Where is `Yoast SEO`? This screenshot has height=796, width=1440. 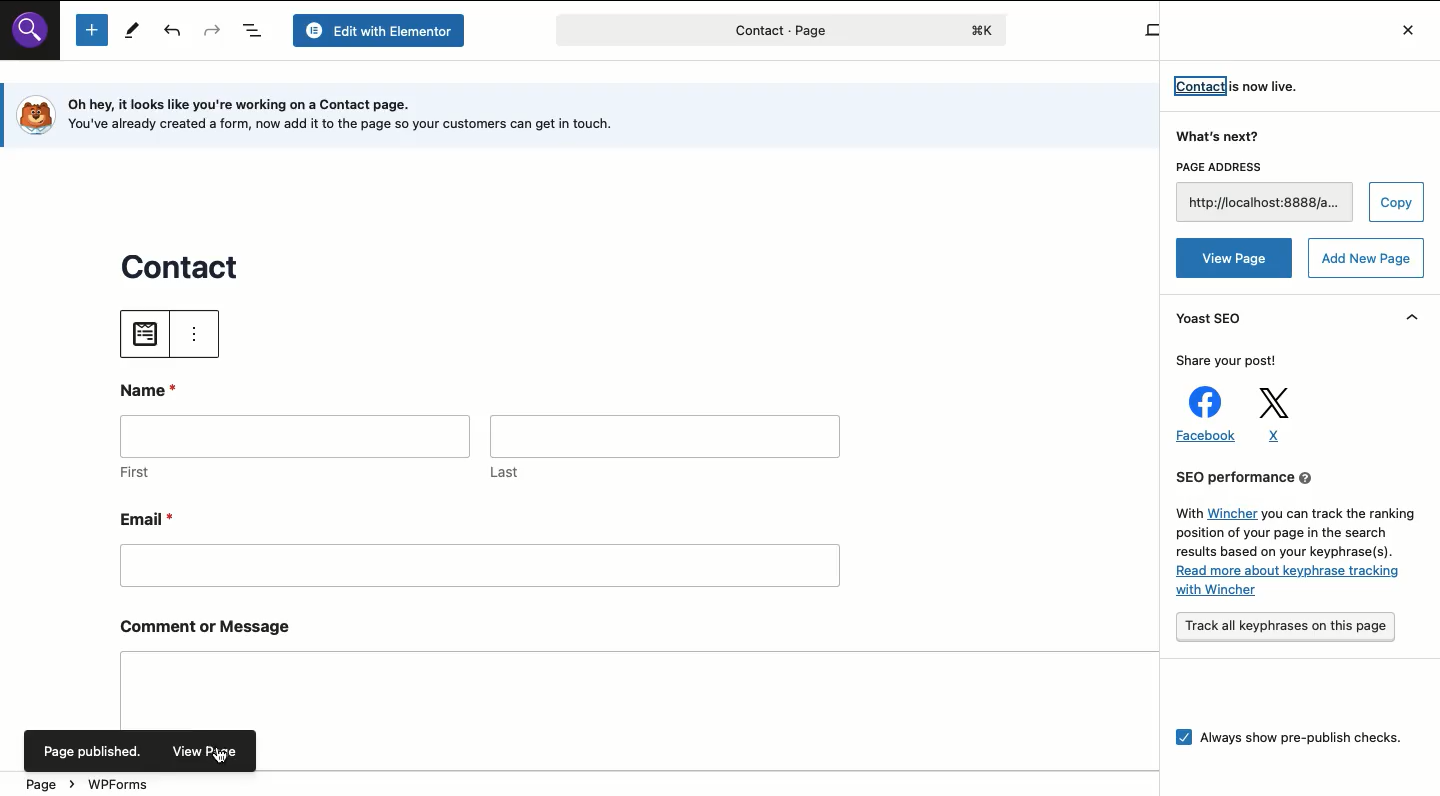
Yoast SEO is located at coordinates (1214, 320).